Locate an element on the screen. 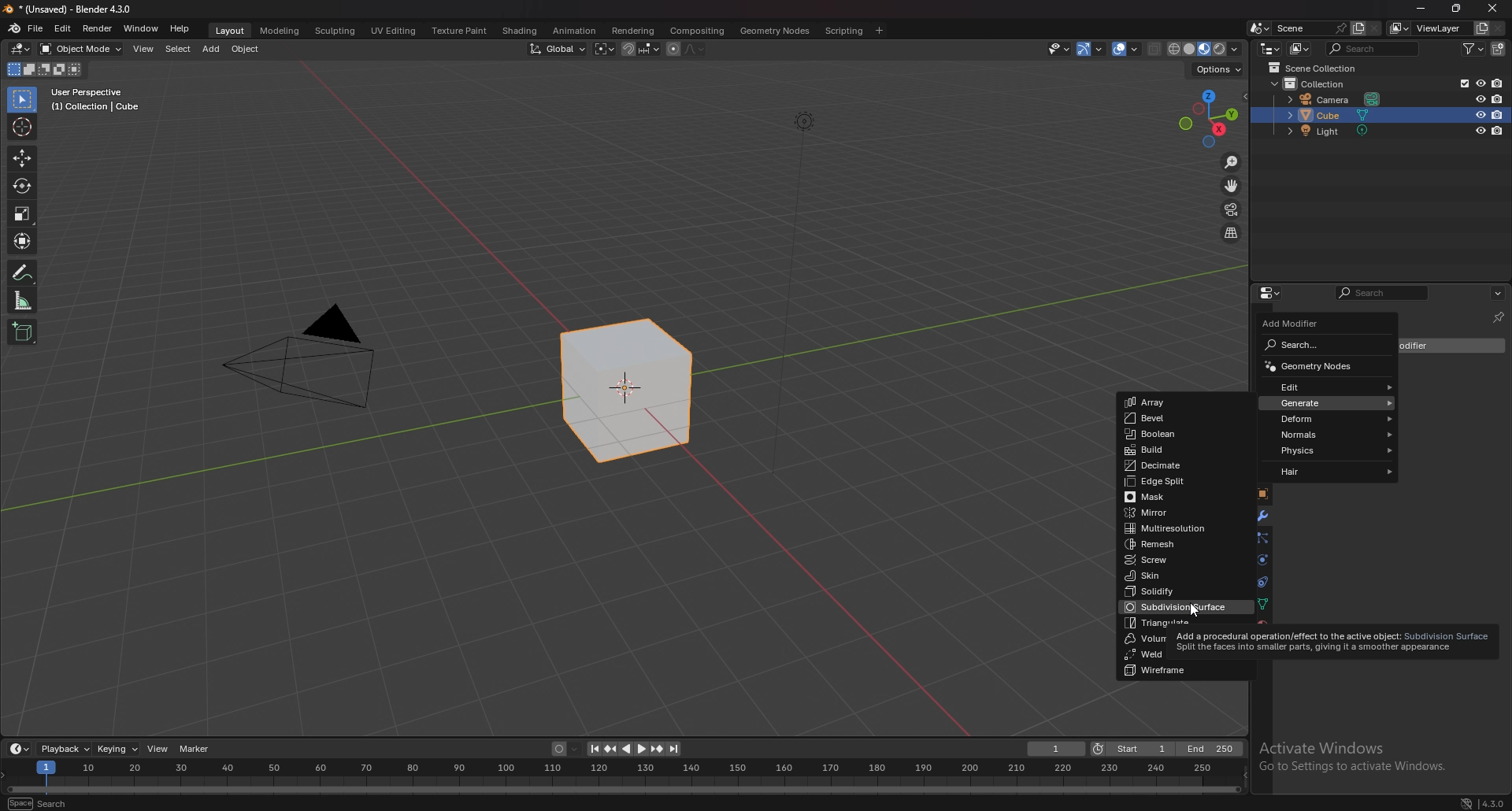 This screenshot has width=1512, height=811. physics is located at coordinates (1326, 450).